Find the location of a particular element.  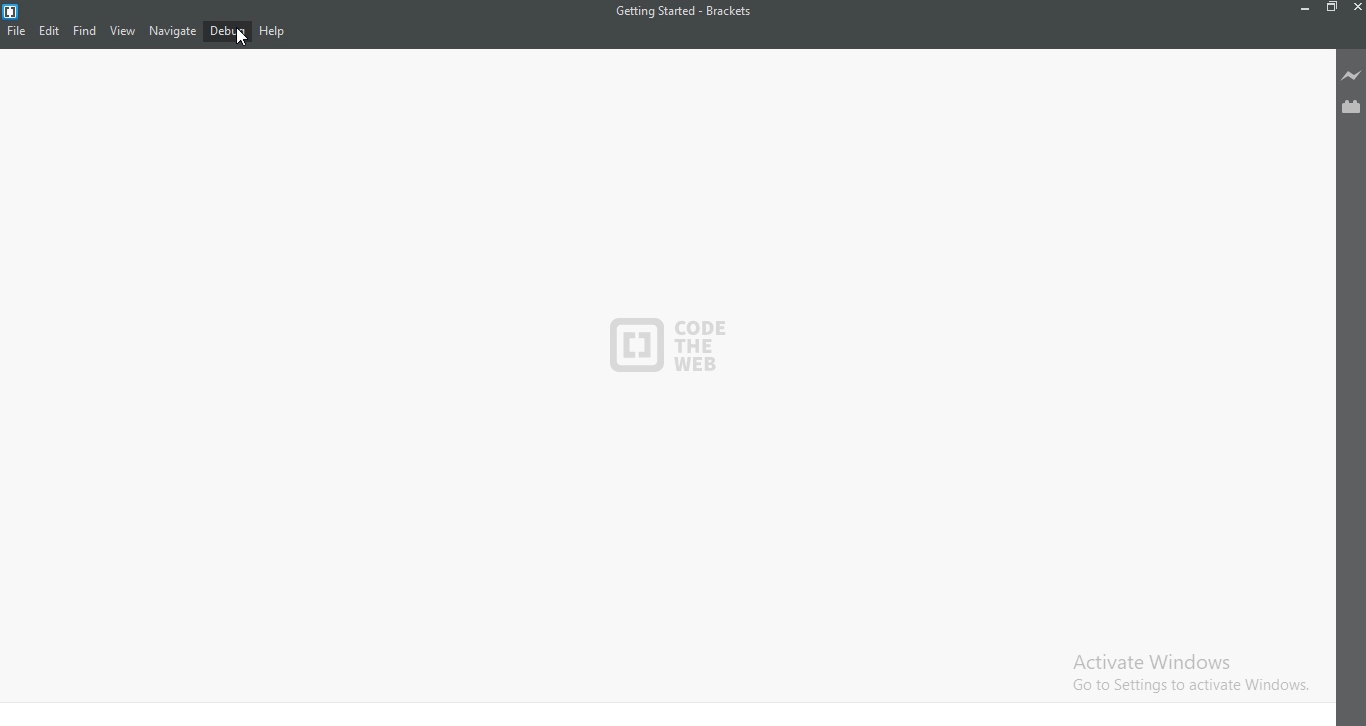

Activate Windows. Go to settings to activate windows. is located at coordinates (1180, 672).